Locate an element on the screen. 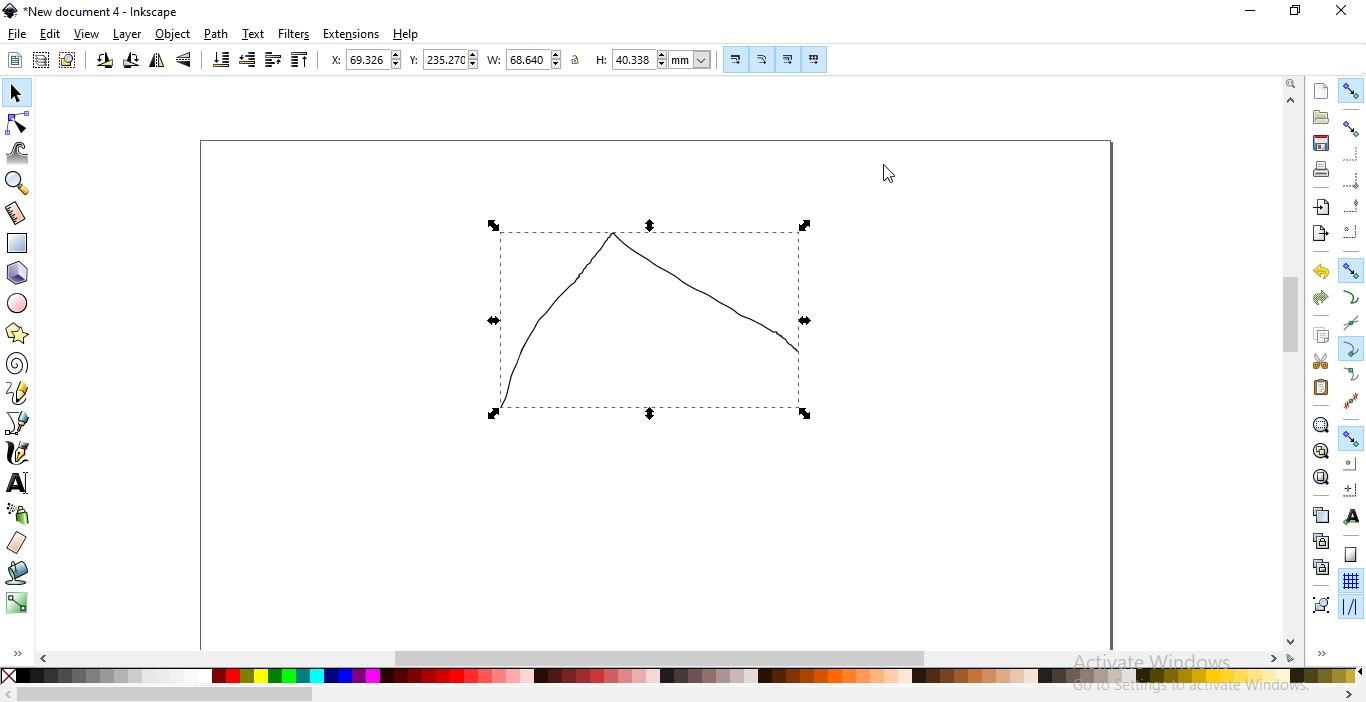 The height and width of the screenshot is (702, 1366). snap midpointsof bounding boxes edges is located at coordinates (1351, 206).